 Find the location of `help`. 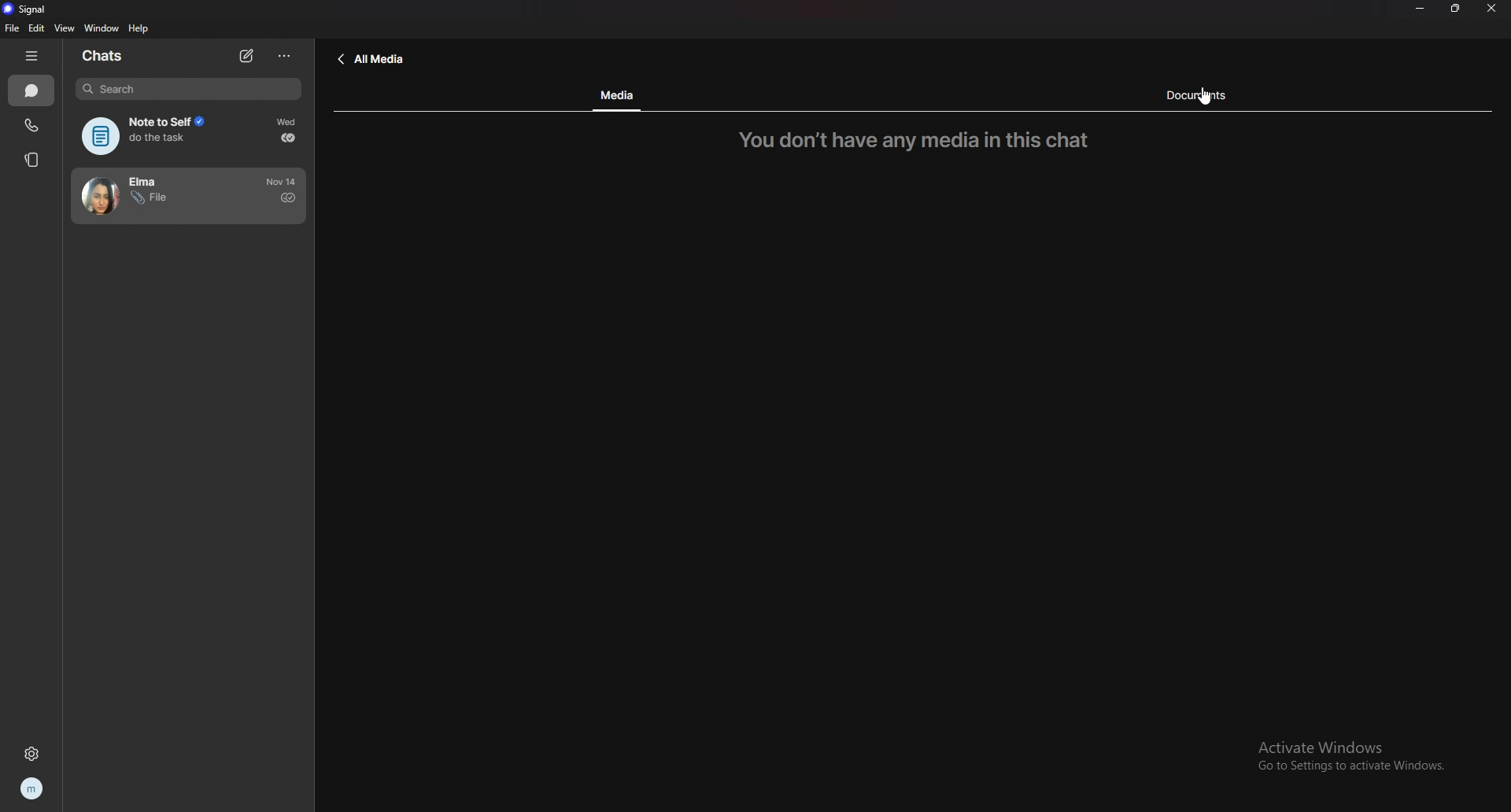

help is located at coordinates (138, 30).